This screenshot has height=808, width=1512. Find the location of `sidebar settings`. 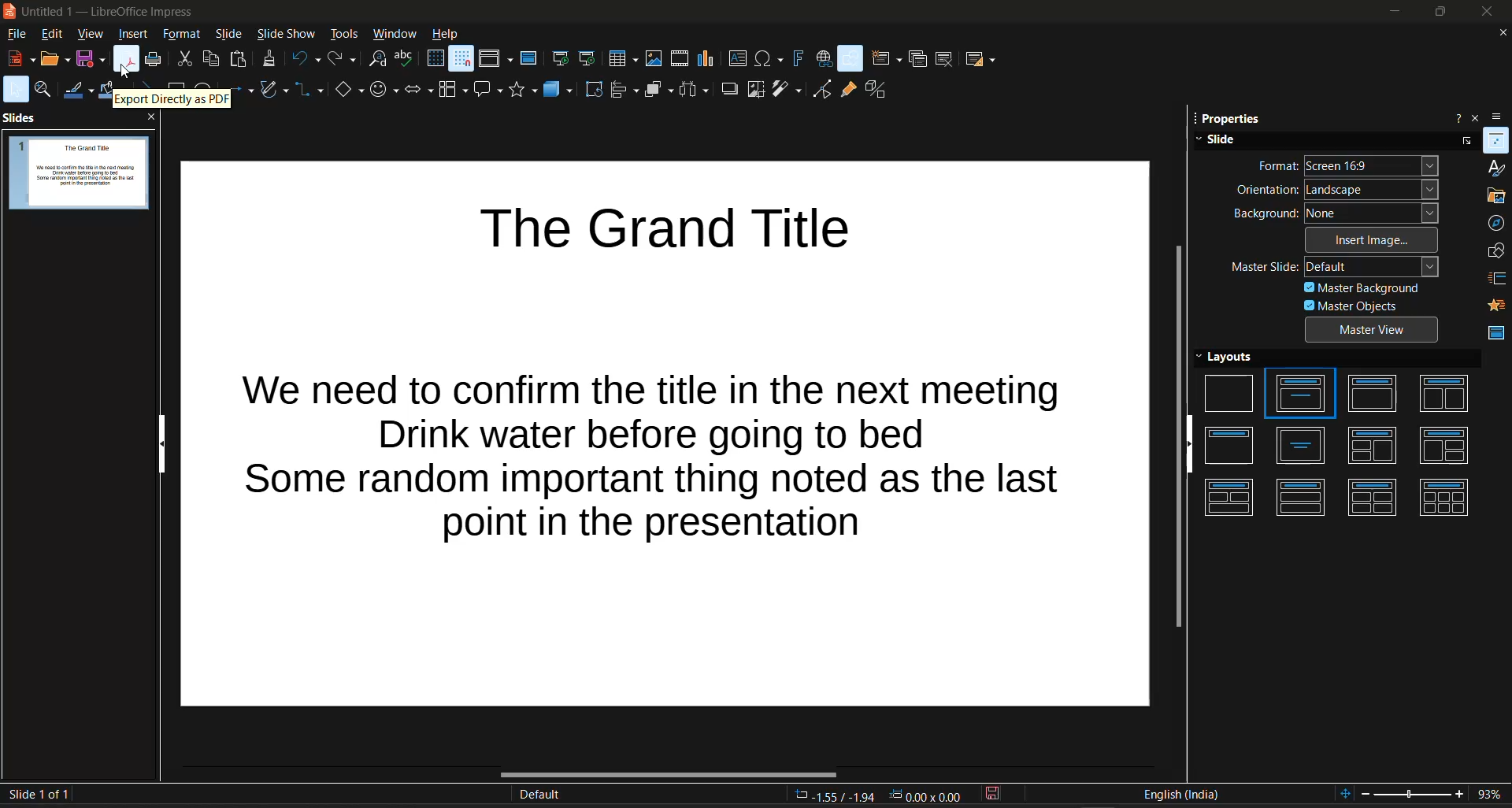

sidebar settings is located at coordinates (1502, 116).